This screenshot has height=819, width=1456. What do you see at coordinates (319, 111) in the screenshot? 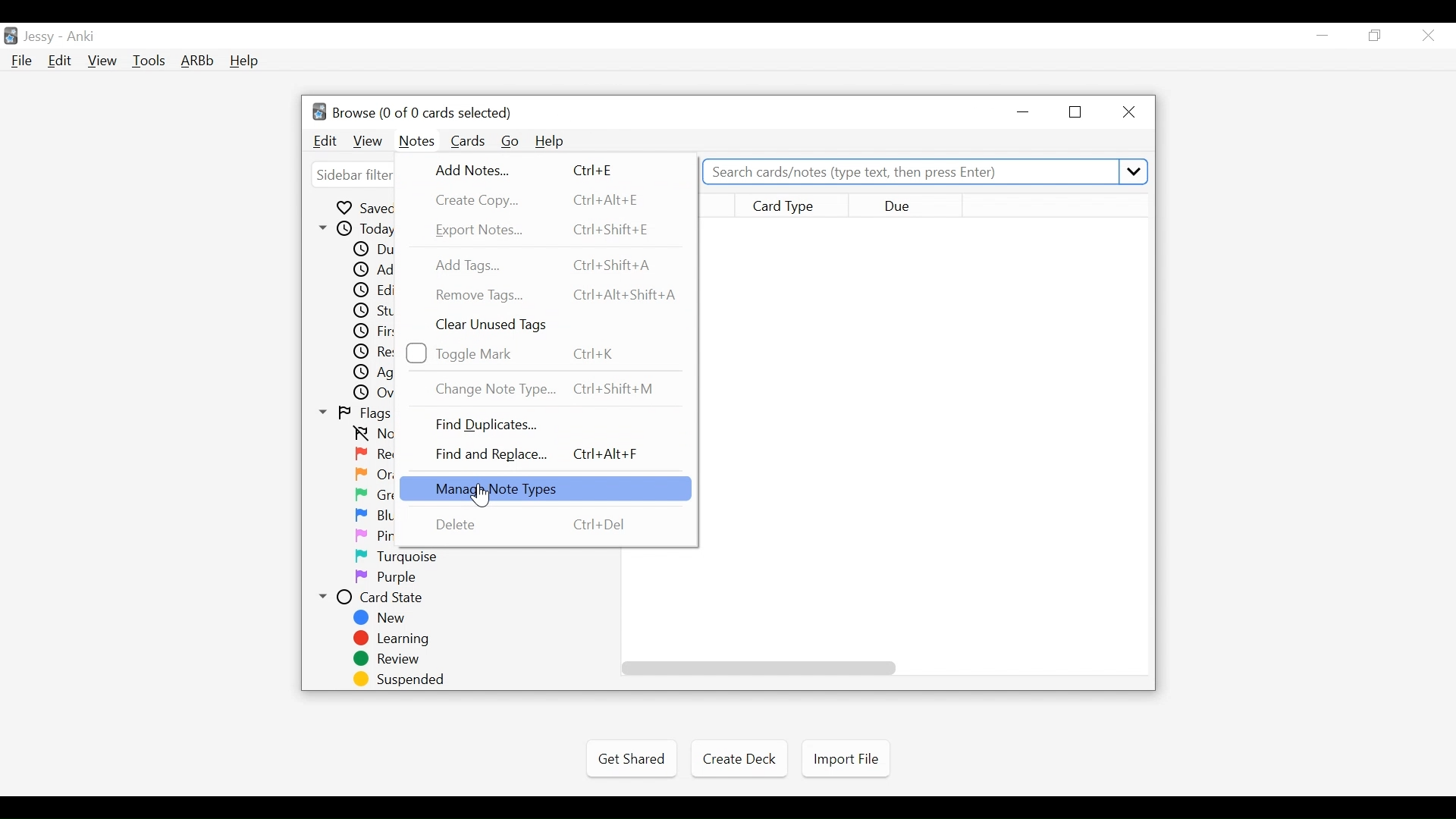
I see `Application logo` at bounding box center [319, 111].